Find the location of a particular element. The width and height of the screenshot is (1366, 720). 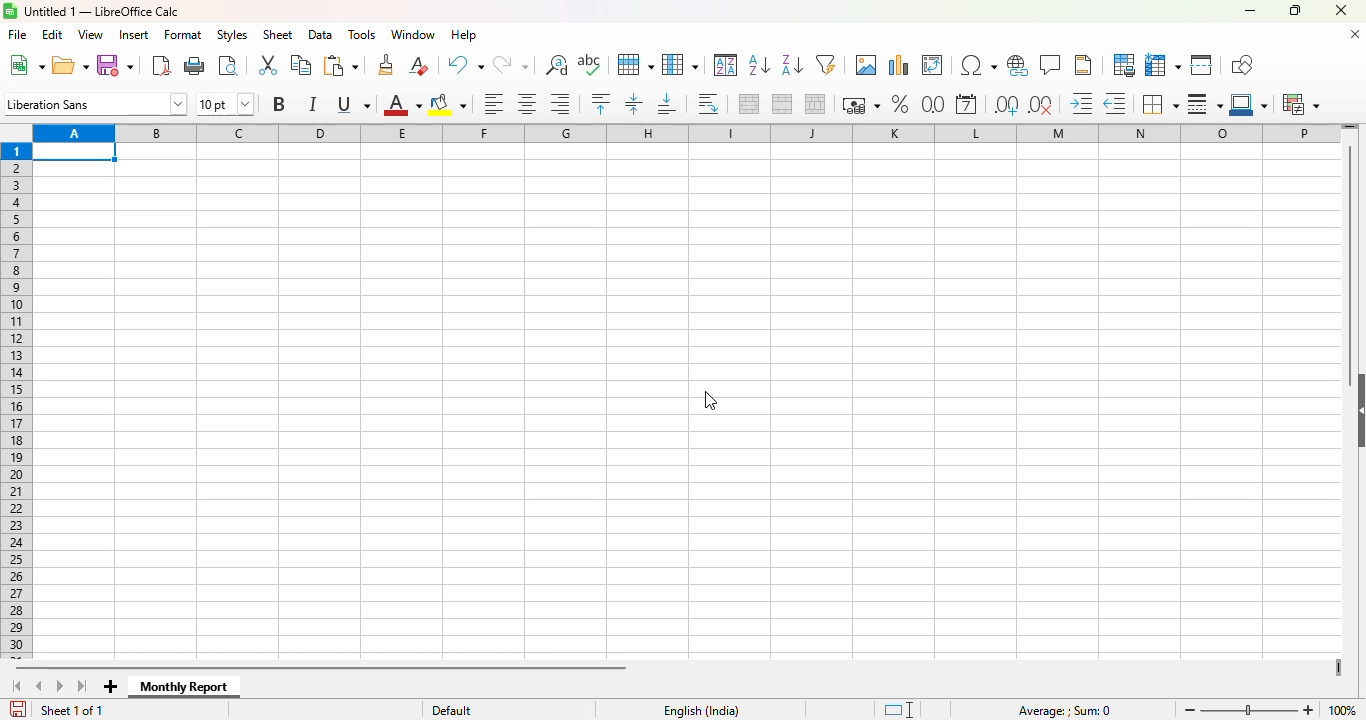

underline is located at coordinates (353, 104).